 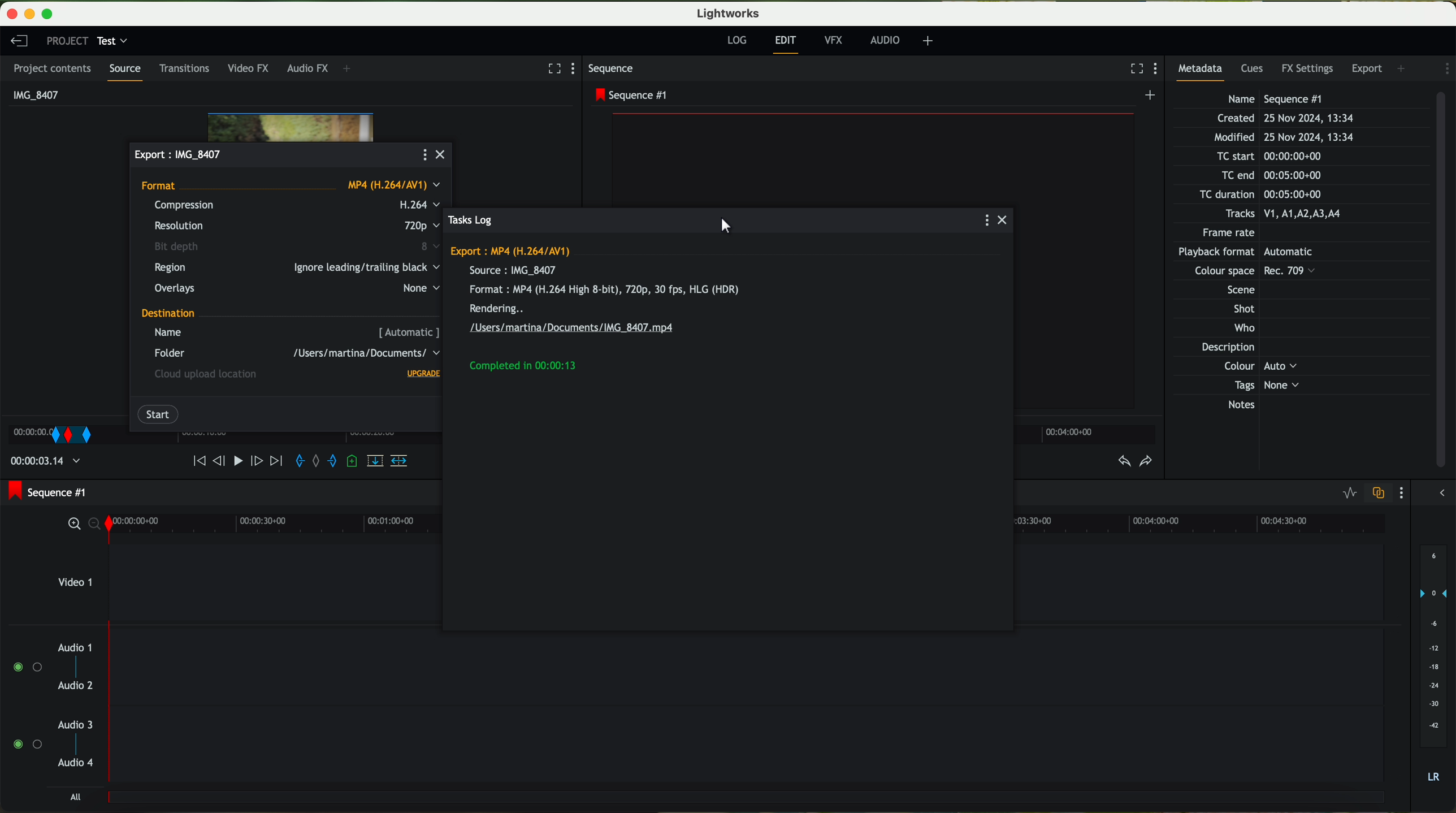 I want to click on add a cue at the current position, so click(x=937, y=462).